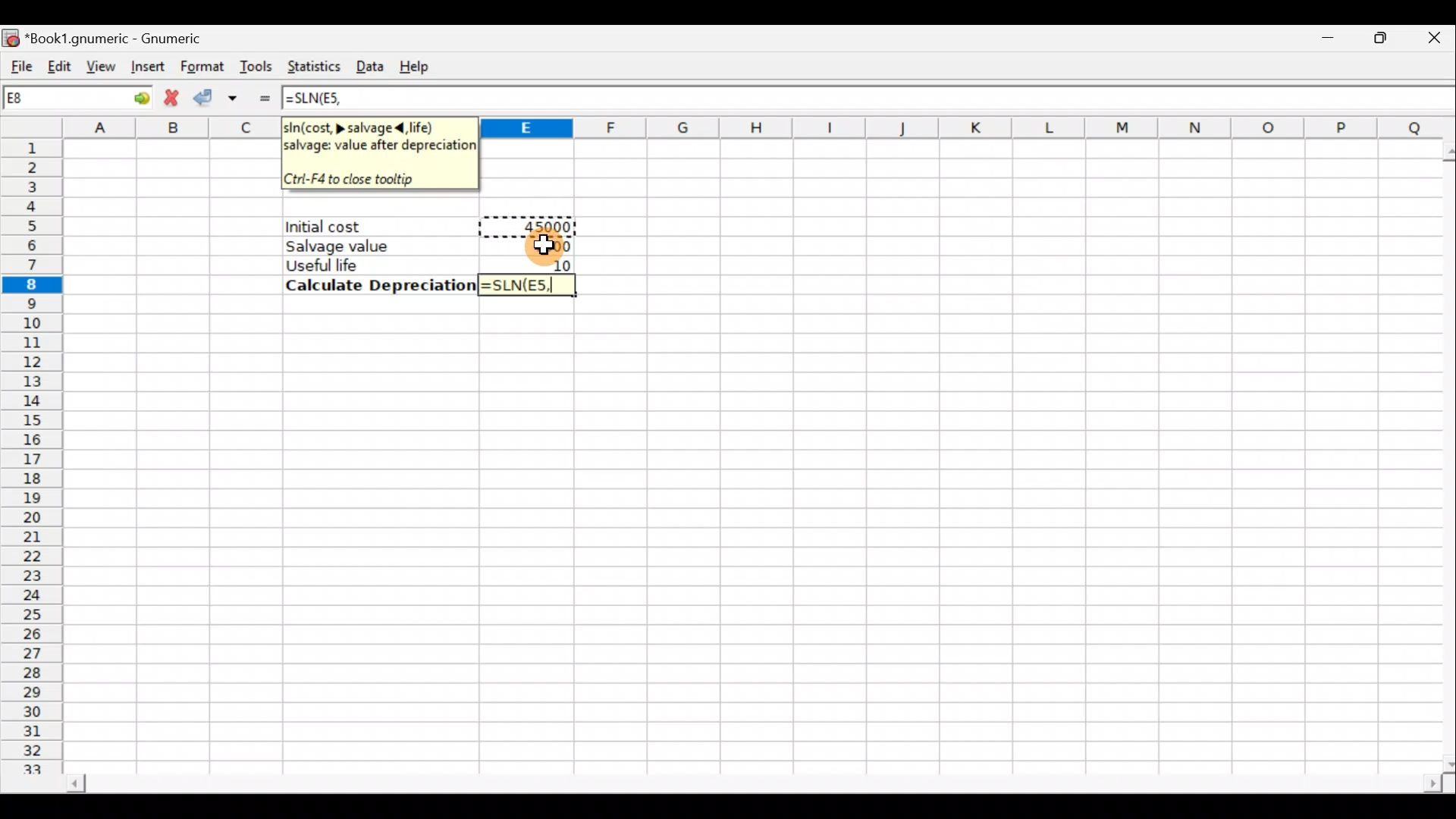 This screenshot has height=819, width=1456. What do you see at coordinates (132, 98) in the screenshot?
I see `go to` at bounding box center [132, 98].